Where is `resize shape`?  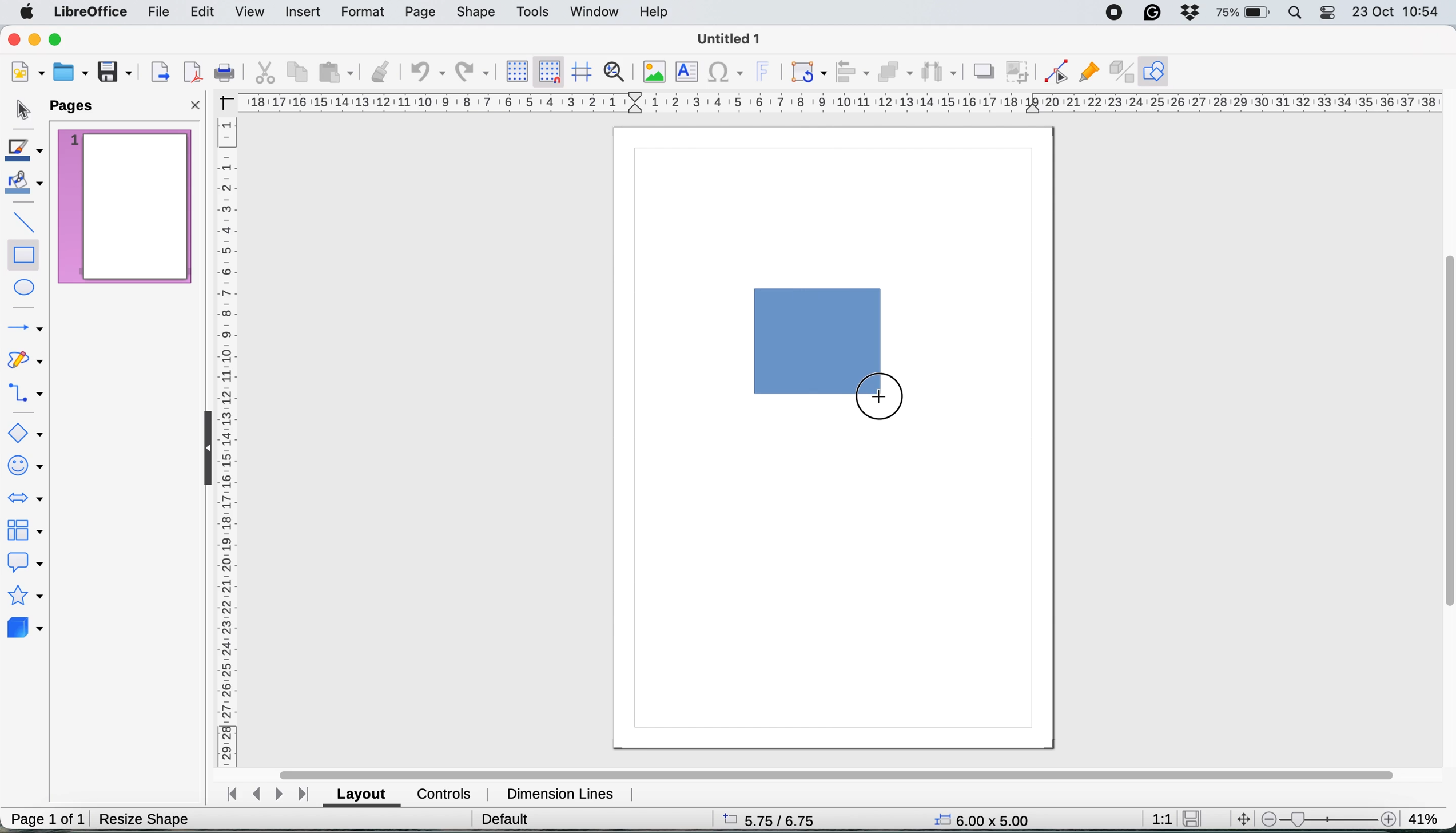 resize shape is located at coordinates (146, 818).